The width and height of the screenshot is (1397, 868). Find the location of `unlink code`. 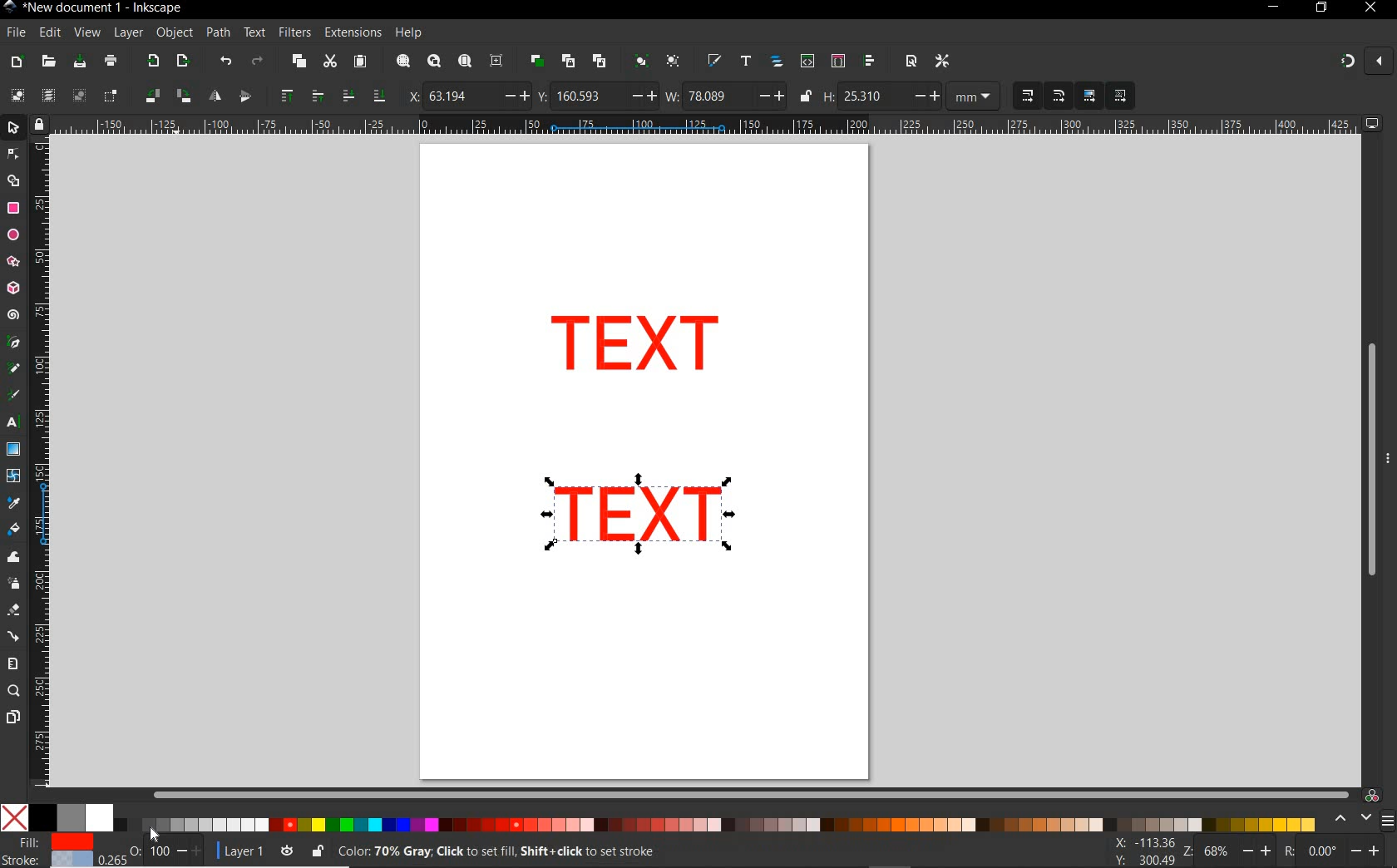

unlink code is located at coordinates (596, 61).